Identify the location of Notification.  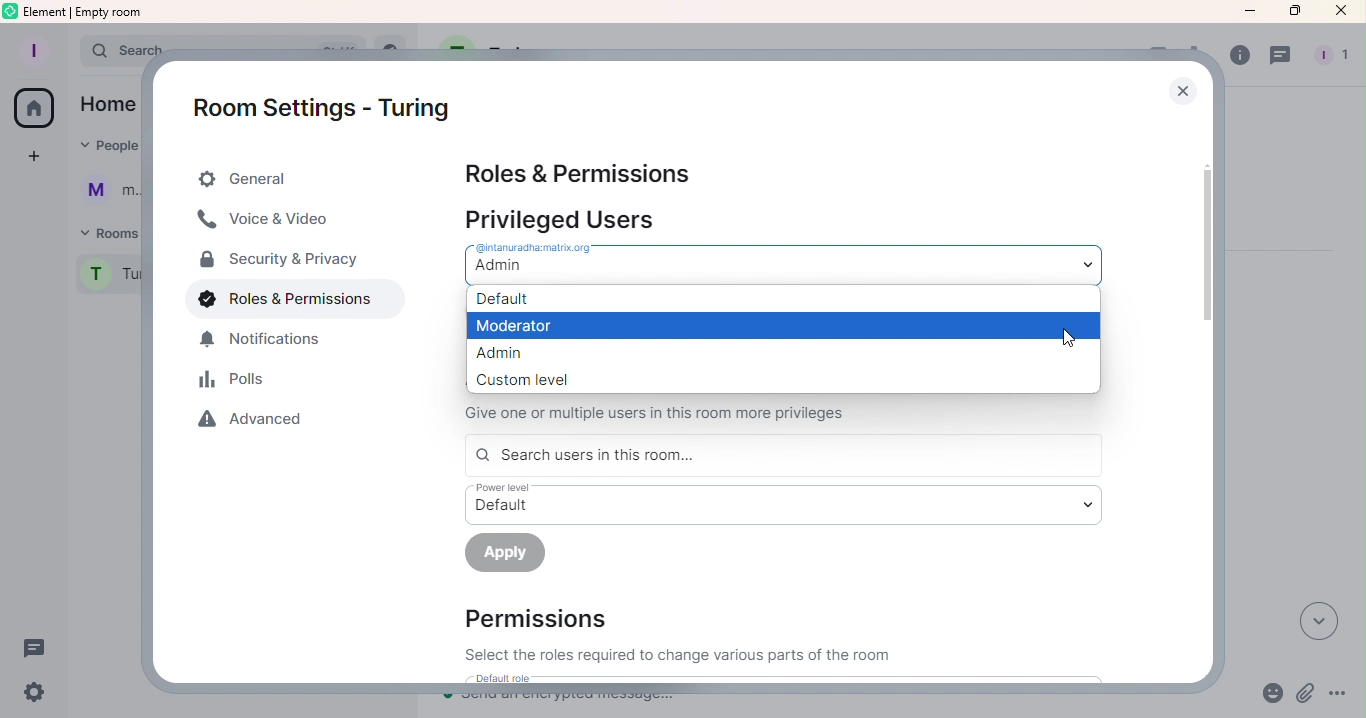
(261, 339).